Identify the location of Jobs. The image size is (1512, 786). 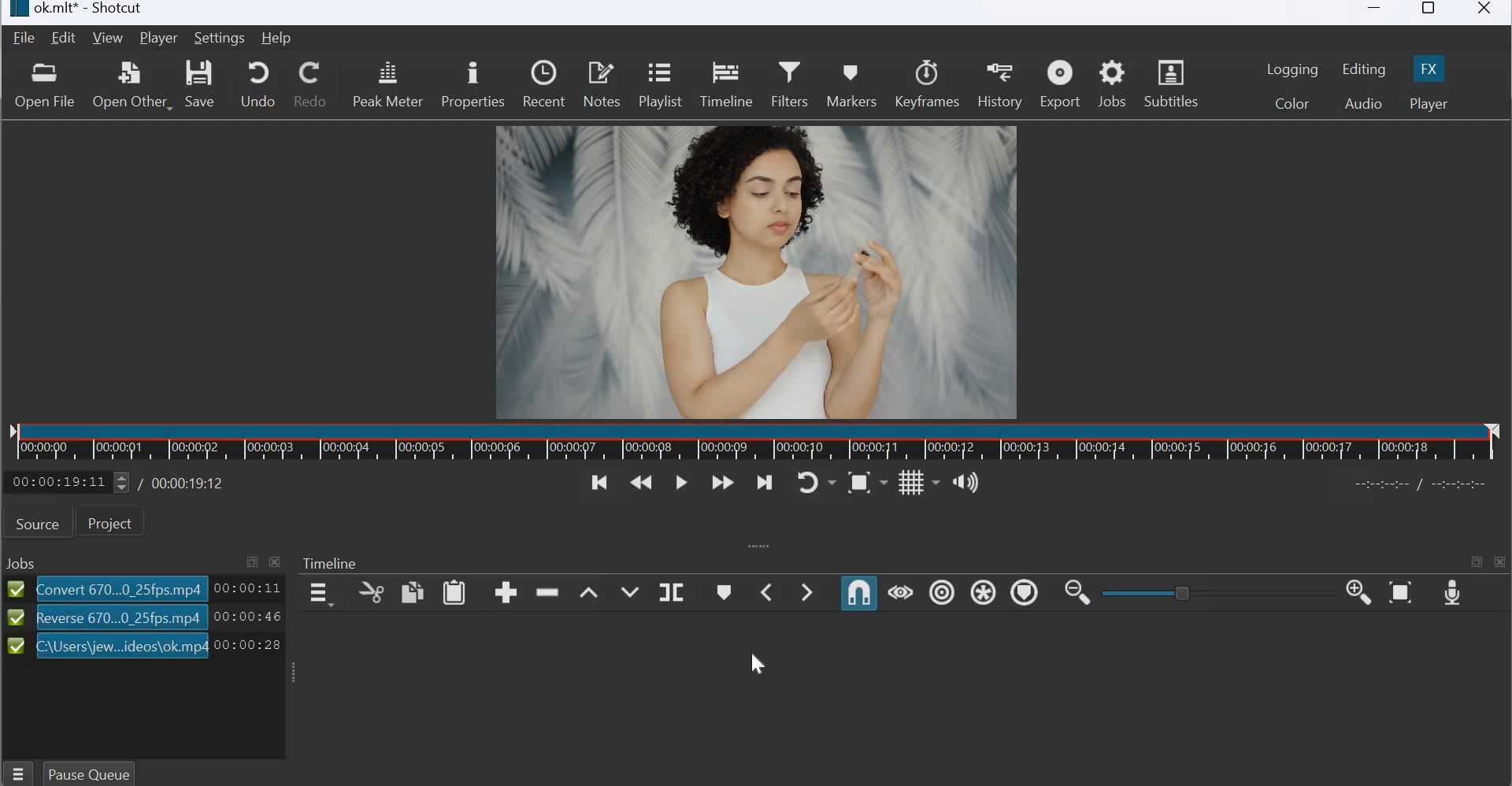
(1112, 83).